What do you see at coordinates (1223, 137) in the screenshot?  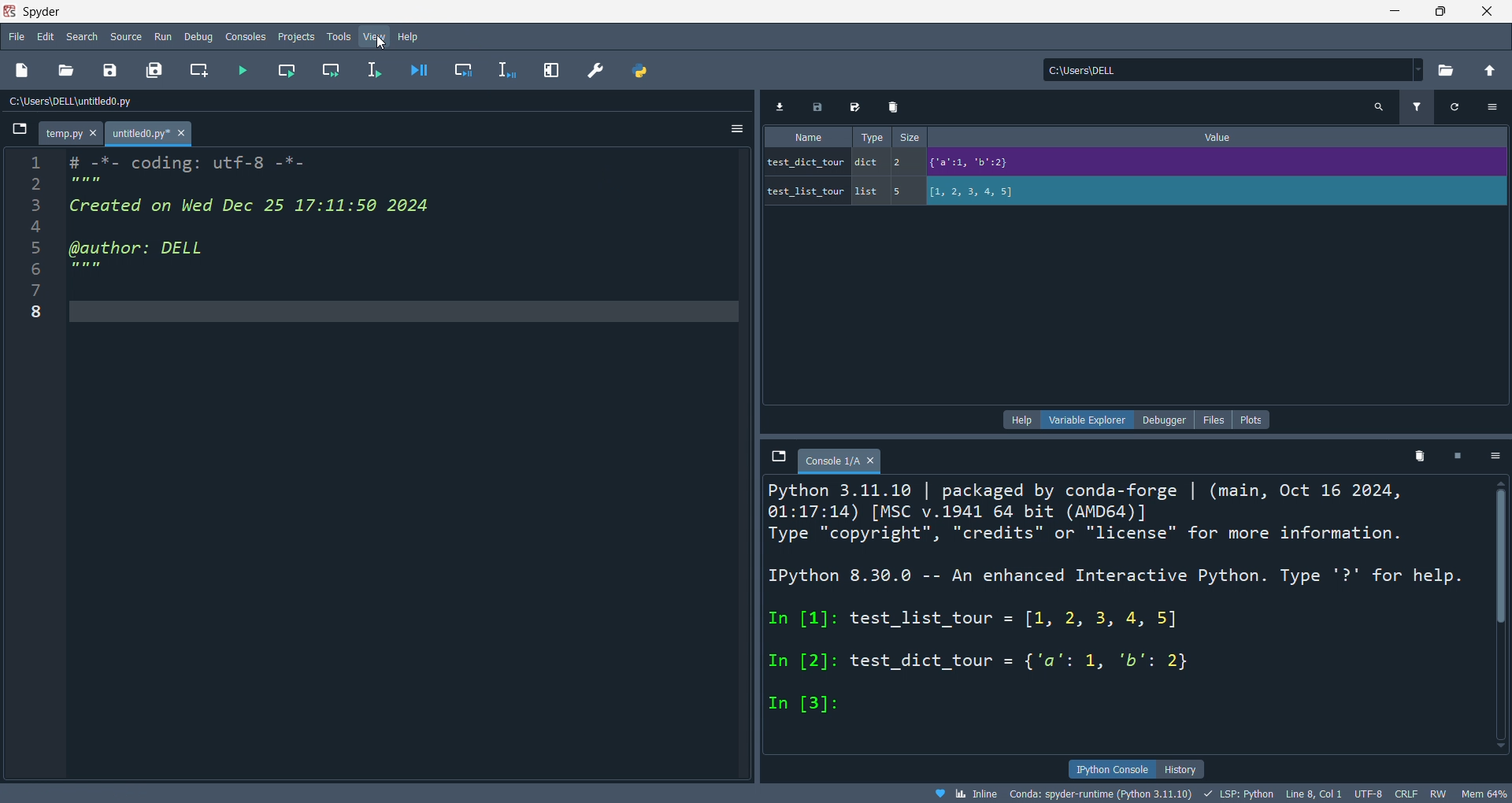 I see `value` at bounding box center [1223, 137].